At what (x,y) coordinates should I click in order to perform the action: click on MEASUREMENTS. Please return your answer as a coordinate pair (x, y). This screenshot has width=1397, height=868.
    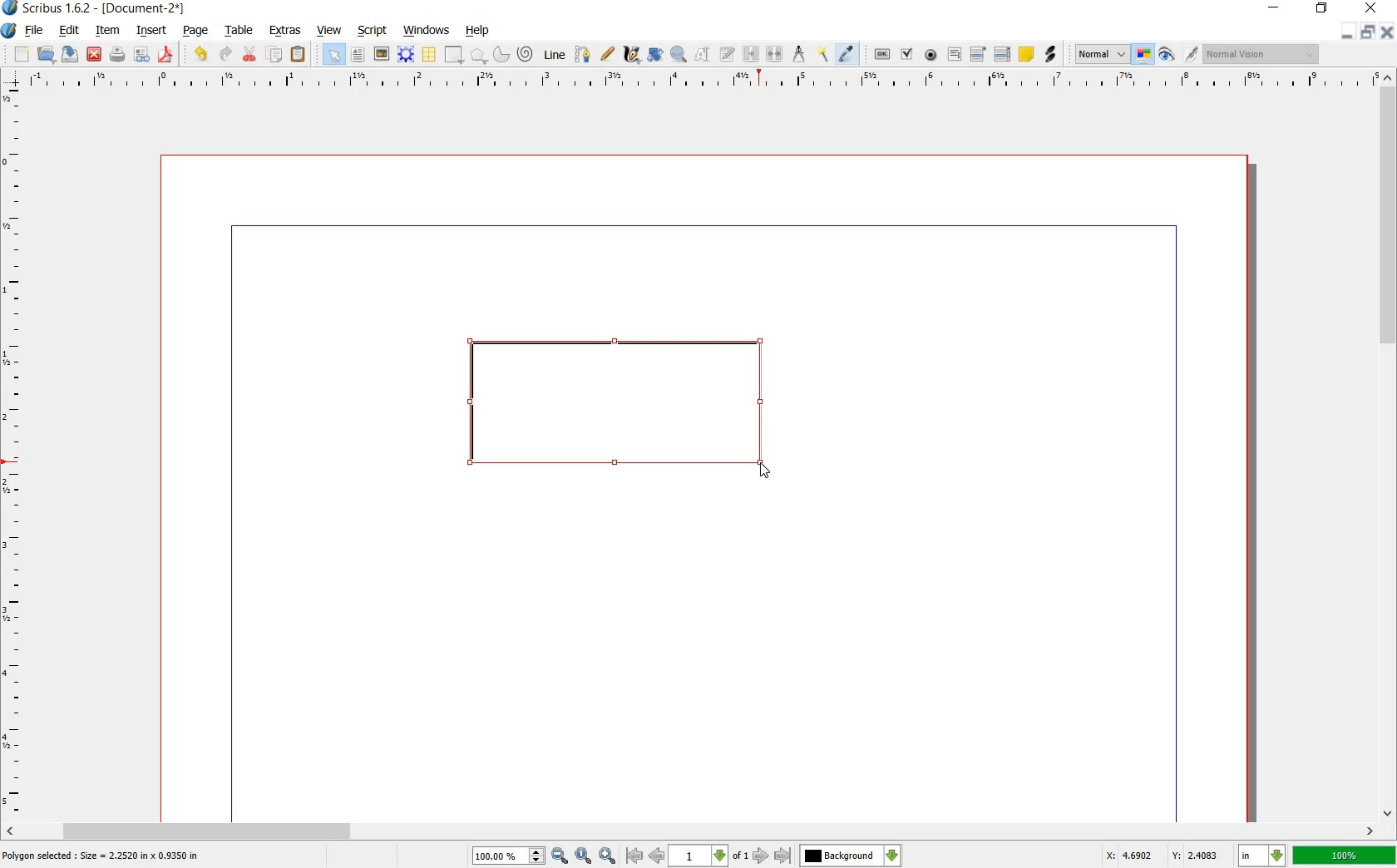
    Looking at the image, I should click on (798, 54).